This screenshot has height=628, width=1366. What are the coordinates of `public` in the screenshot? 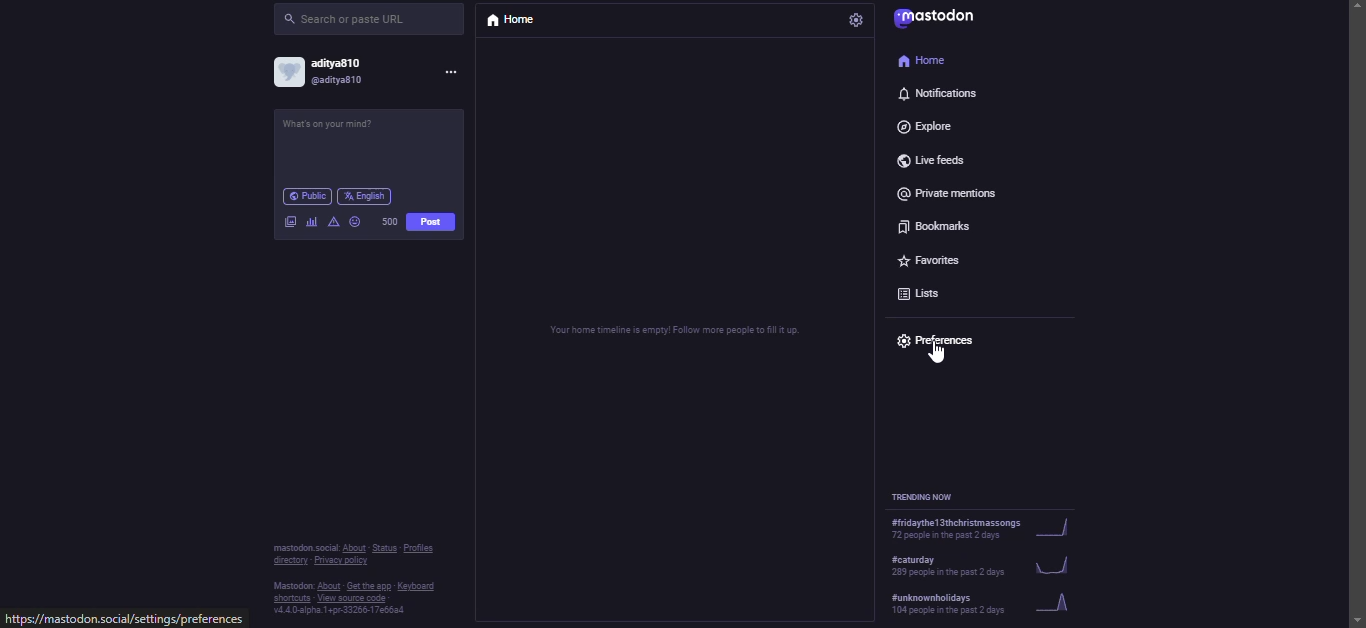 It's located at (306, 196).